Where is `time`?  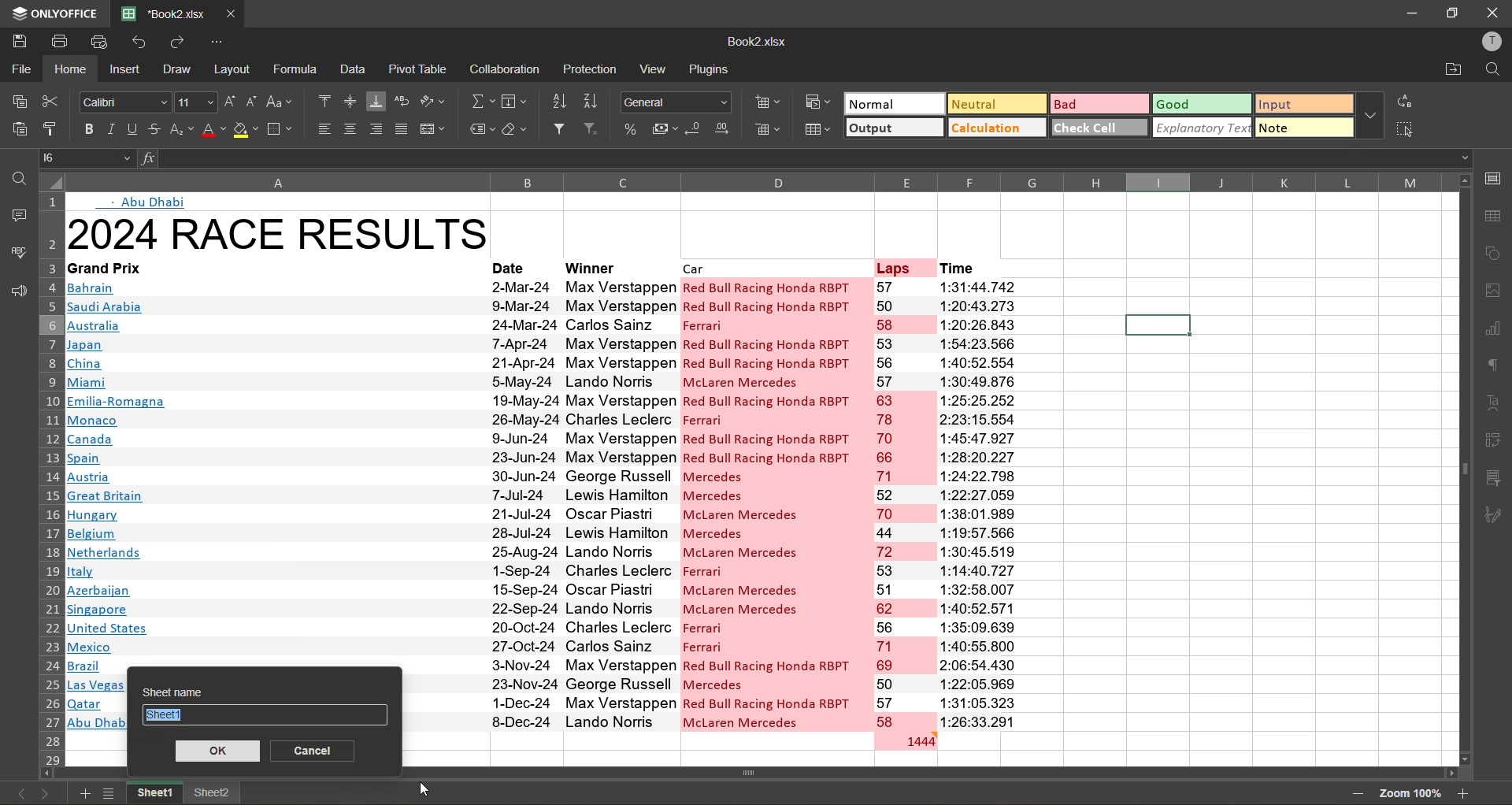
time is located at coordinates (975, 503).